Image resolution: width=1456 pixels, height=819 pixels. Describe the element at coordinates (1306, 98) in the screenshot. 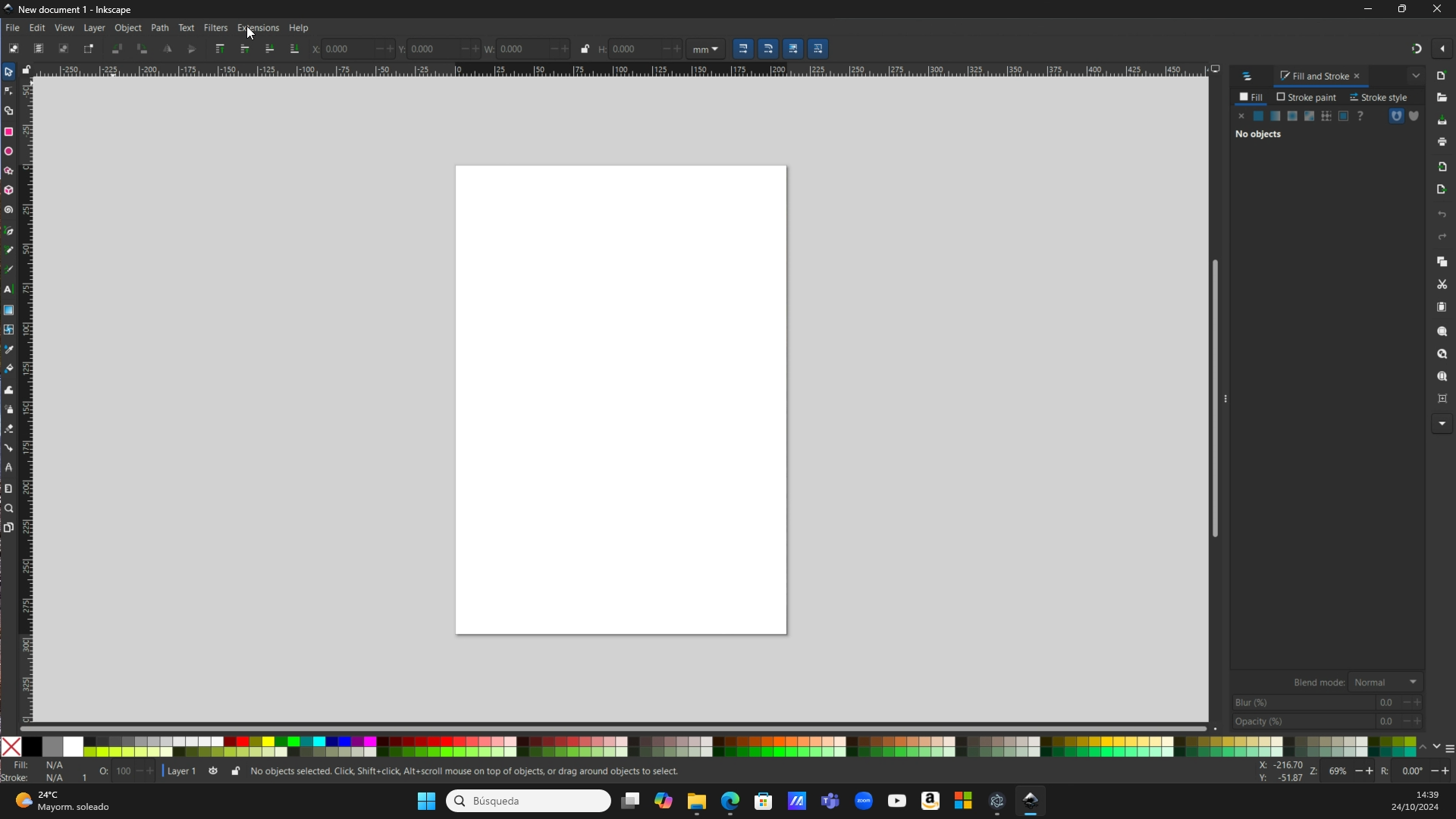

I see `Stroke Paint` at that location.